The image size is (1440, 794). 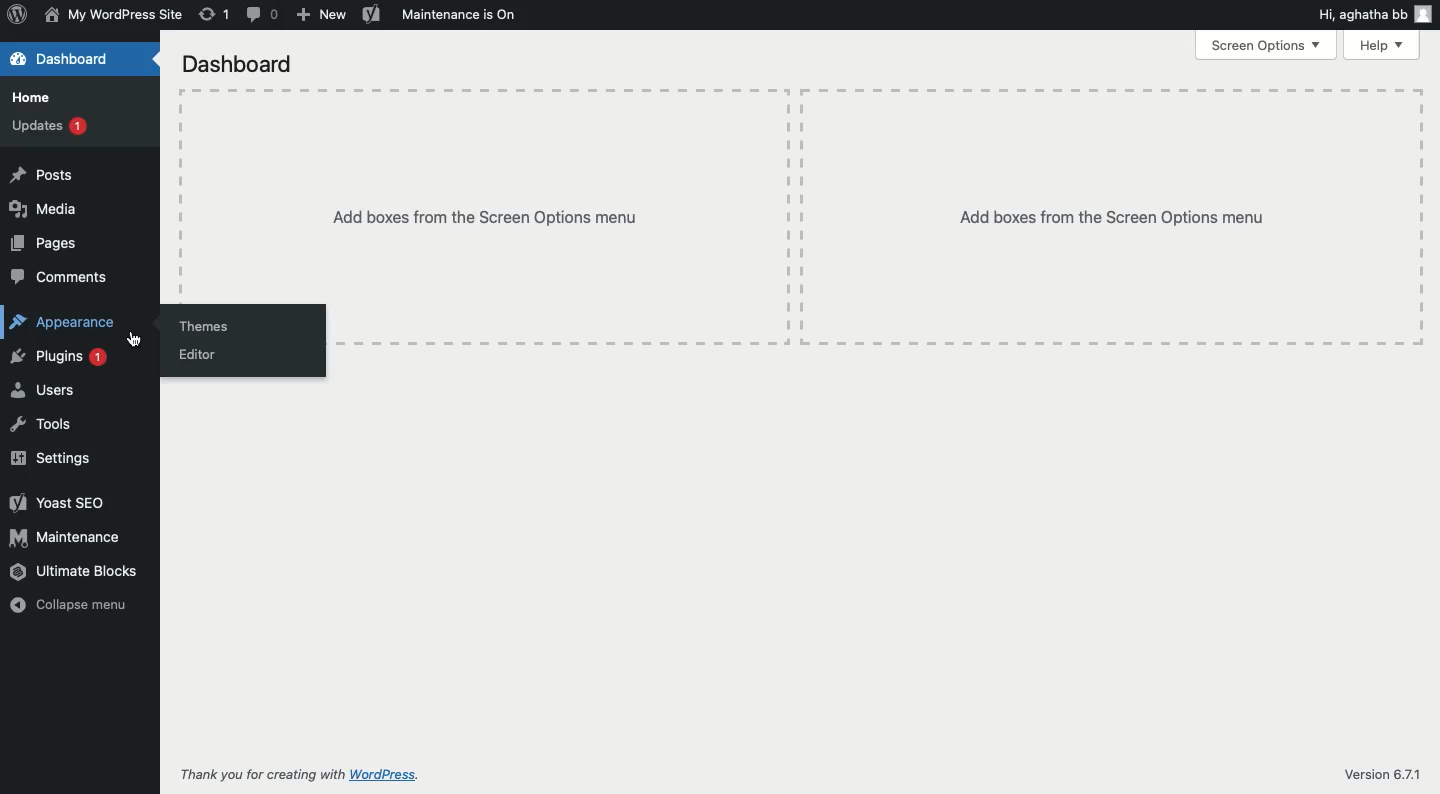 I want to click on Themes, so click(x=204, y=328).